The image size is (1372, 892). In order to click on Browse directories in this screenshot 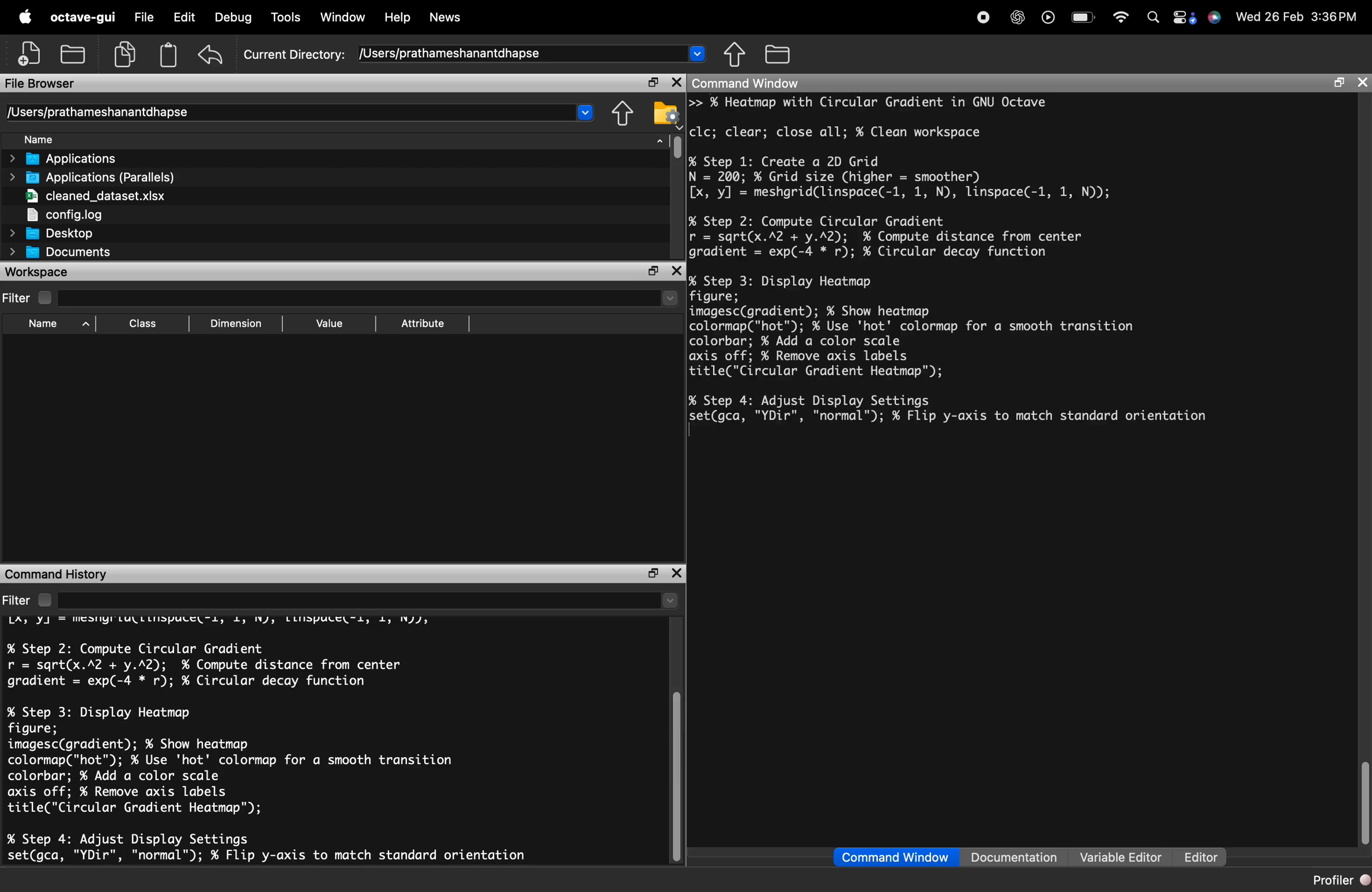, I will do `click(622, 115)`.